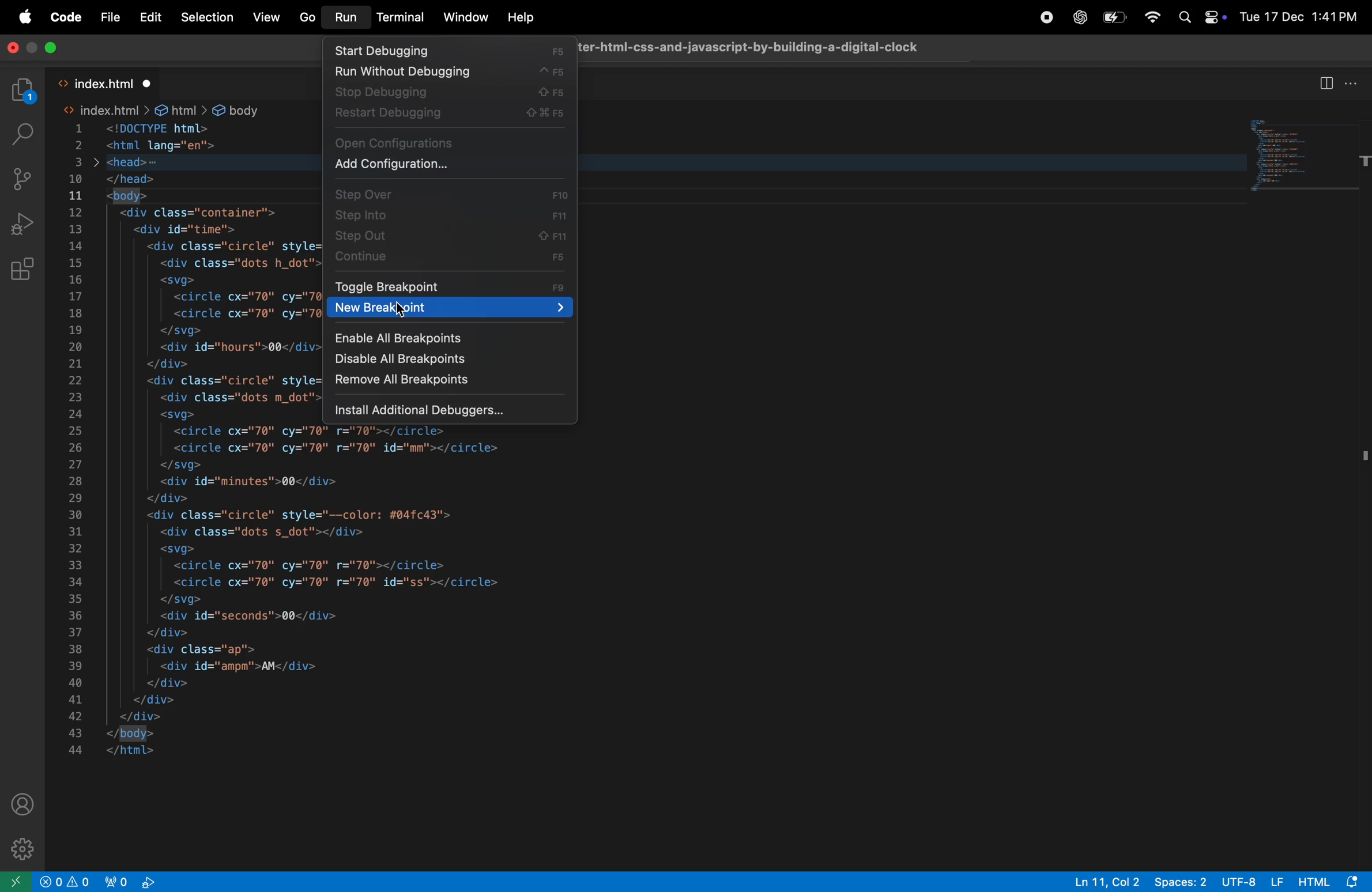 The height and width of the screenshot is (892, 1372). I want to click on Spaces, so click(1182, 881).